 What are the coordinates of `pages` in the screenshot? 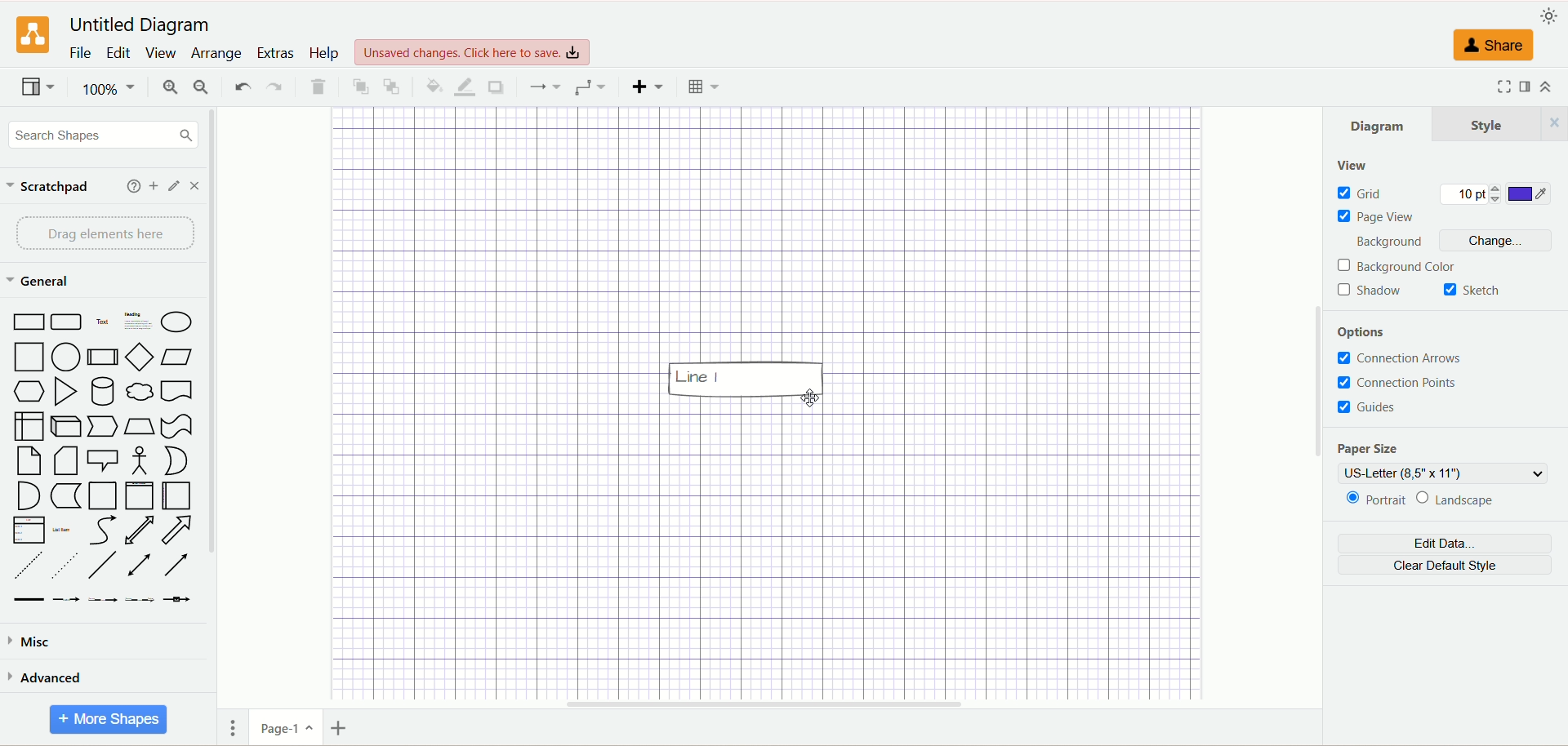 It's located at (231, 732).